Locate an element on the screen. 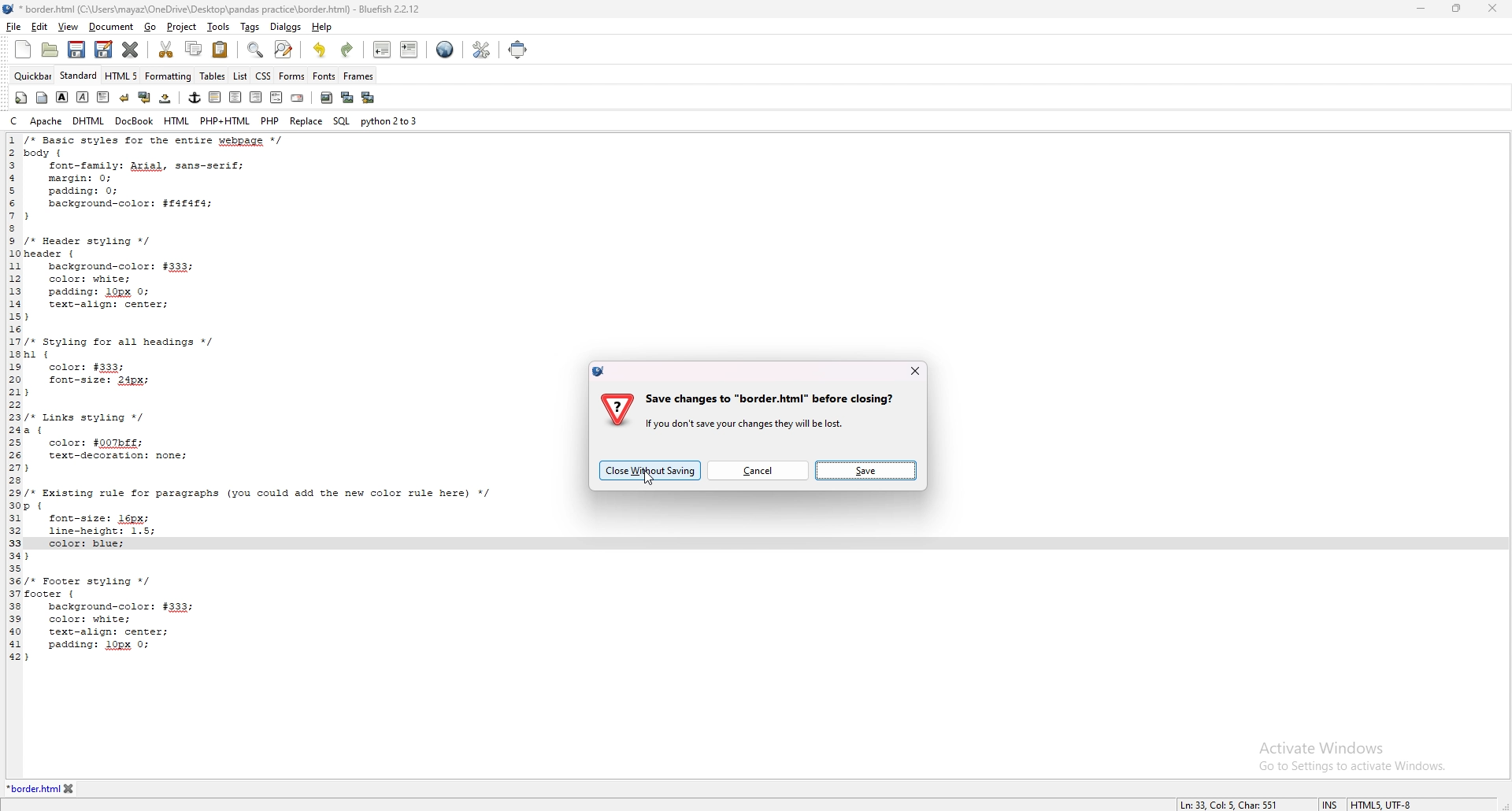  close without saving is located at coordinates (650, 469).